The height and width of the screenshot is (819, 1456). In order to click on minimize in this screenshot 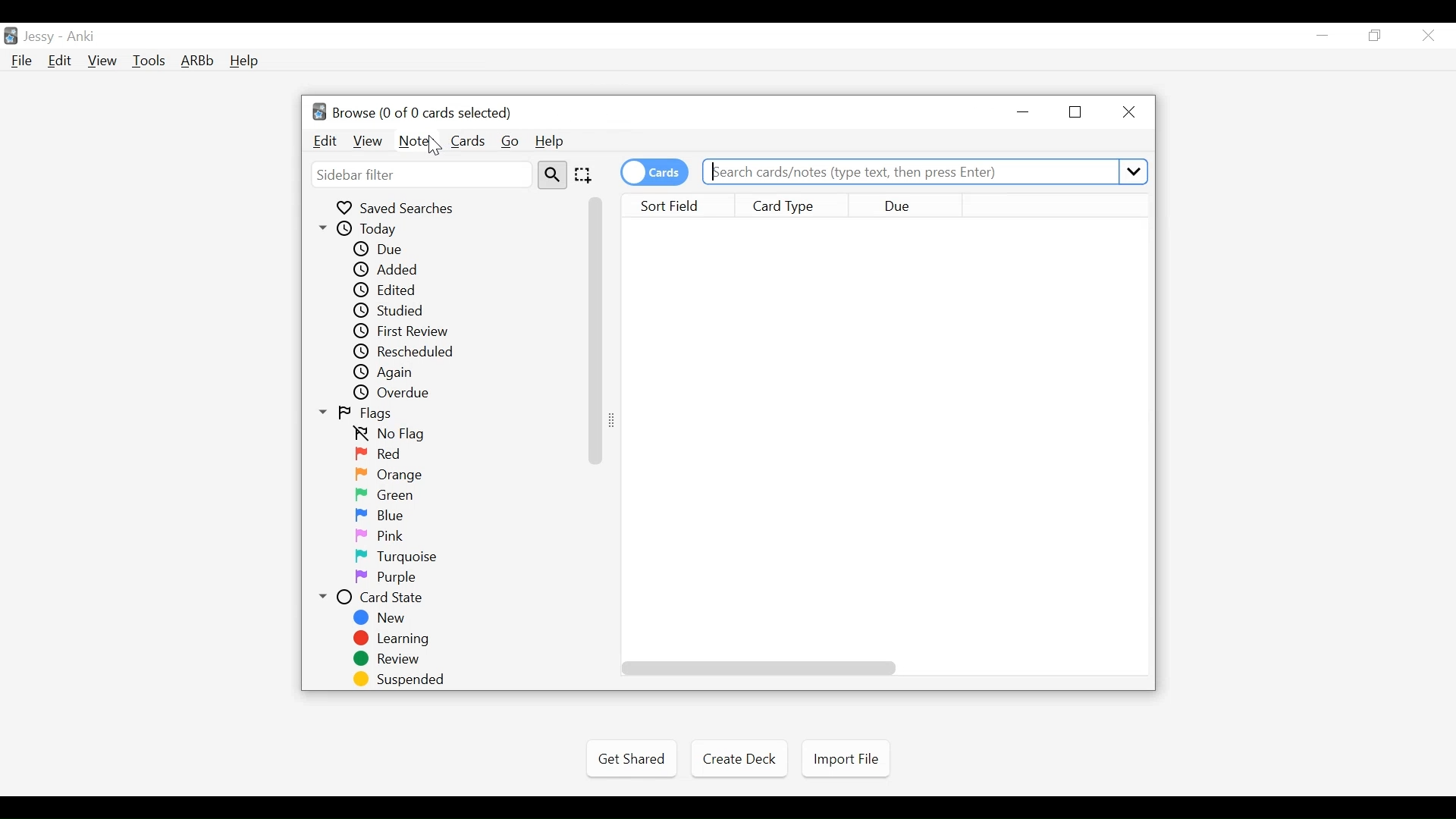, I will do `click(1025, 112)`.